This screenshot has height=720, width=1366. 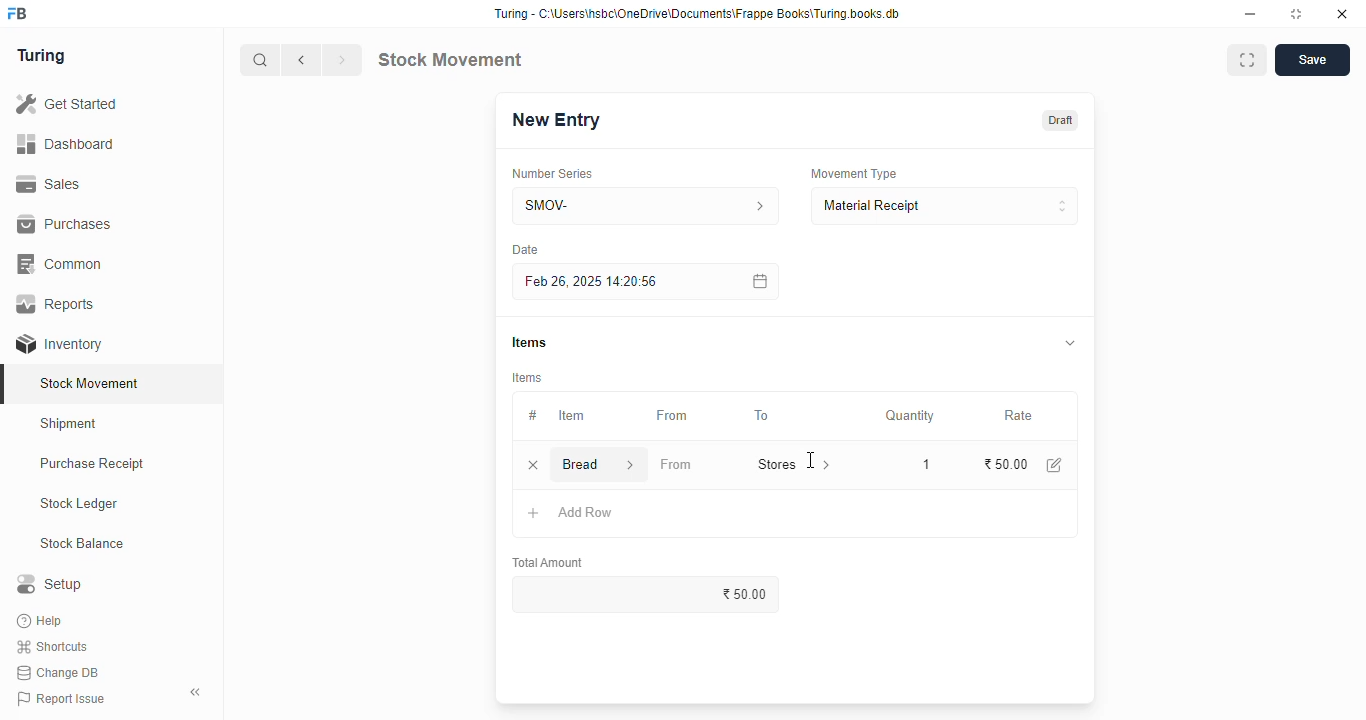 What do you see at coordinates (1250, 15) in the screenshot?
I see `minimize` at bounding box center [1250, 15].